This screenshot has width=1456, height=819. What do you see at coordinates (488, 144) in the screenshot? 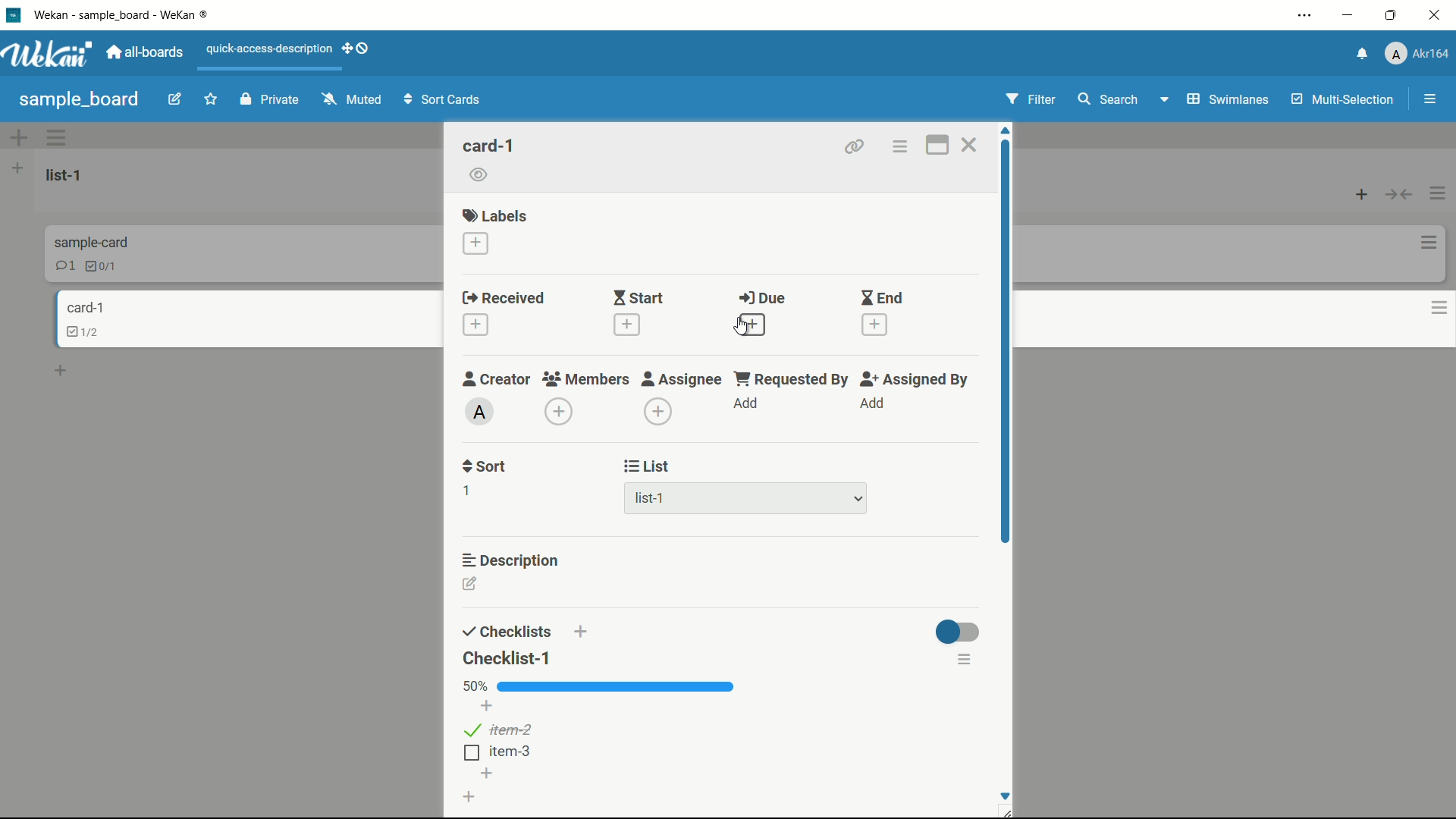
I see `card name` at bounding box center [488, 144].